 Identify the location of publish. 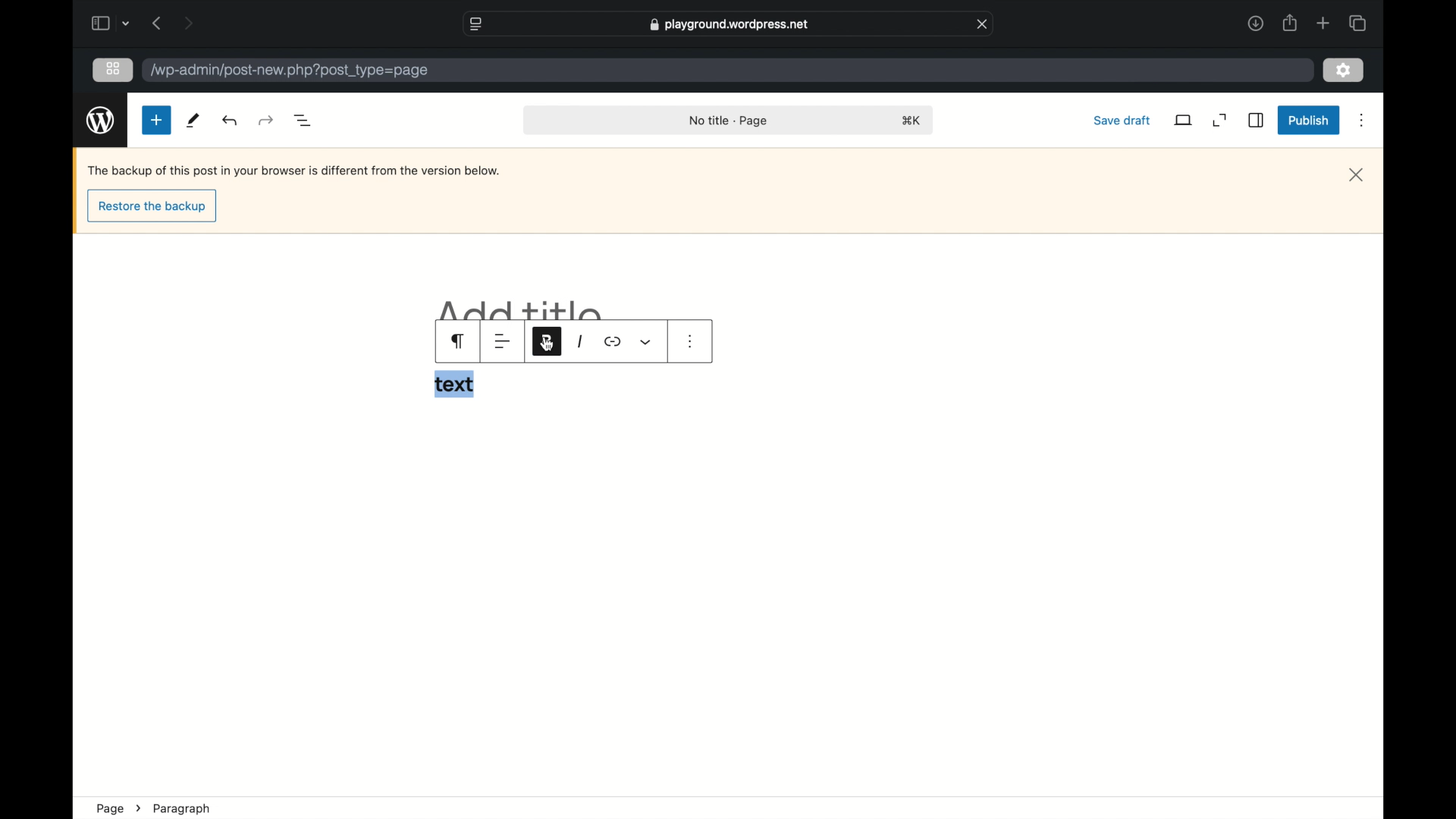
(1309, 121).